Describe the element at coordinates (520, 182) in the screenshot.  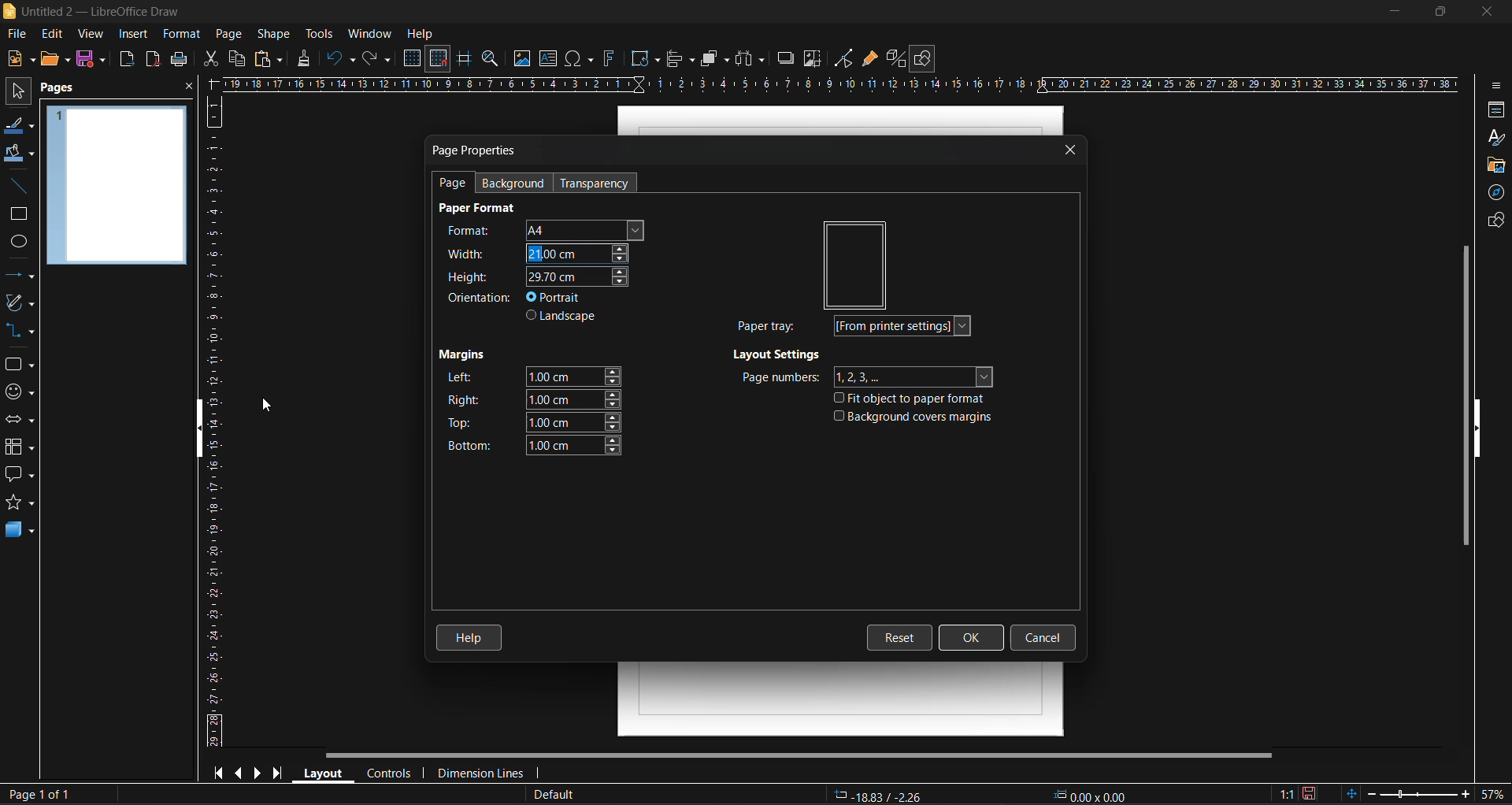
I see `background` at that location.